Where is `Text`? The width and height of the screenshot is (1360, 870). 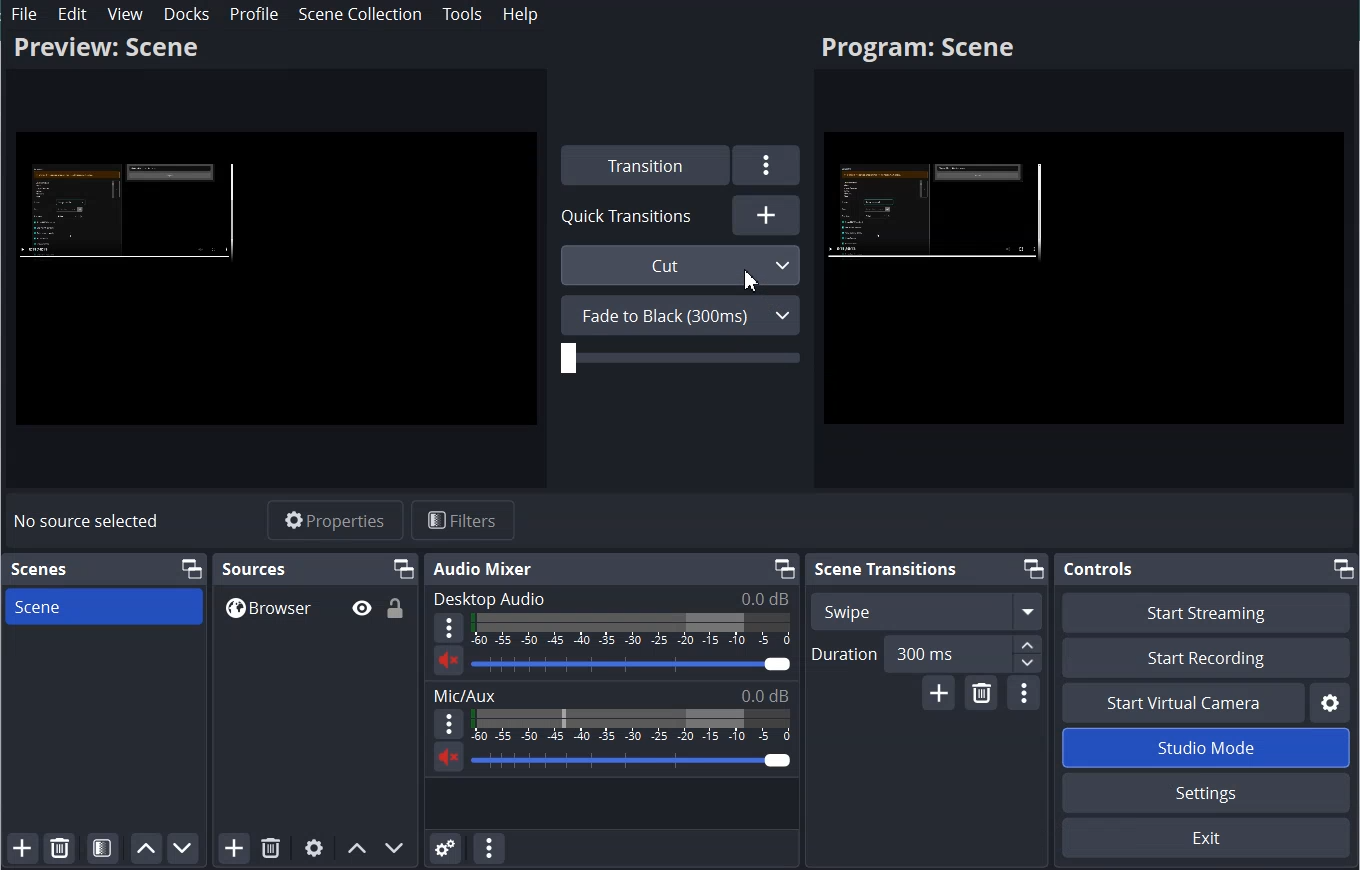 Text is located at coordinates (39, 569).